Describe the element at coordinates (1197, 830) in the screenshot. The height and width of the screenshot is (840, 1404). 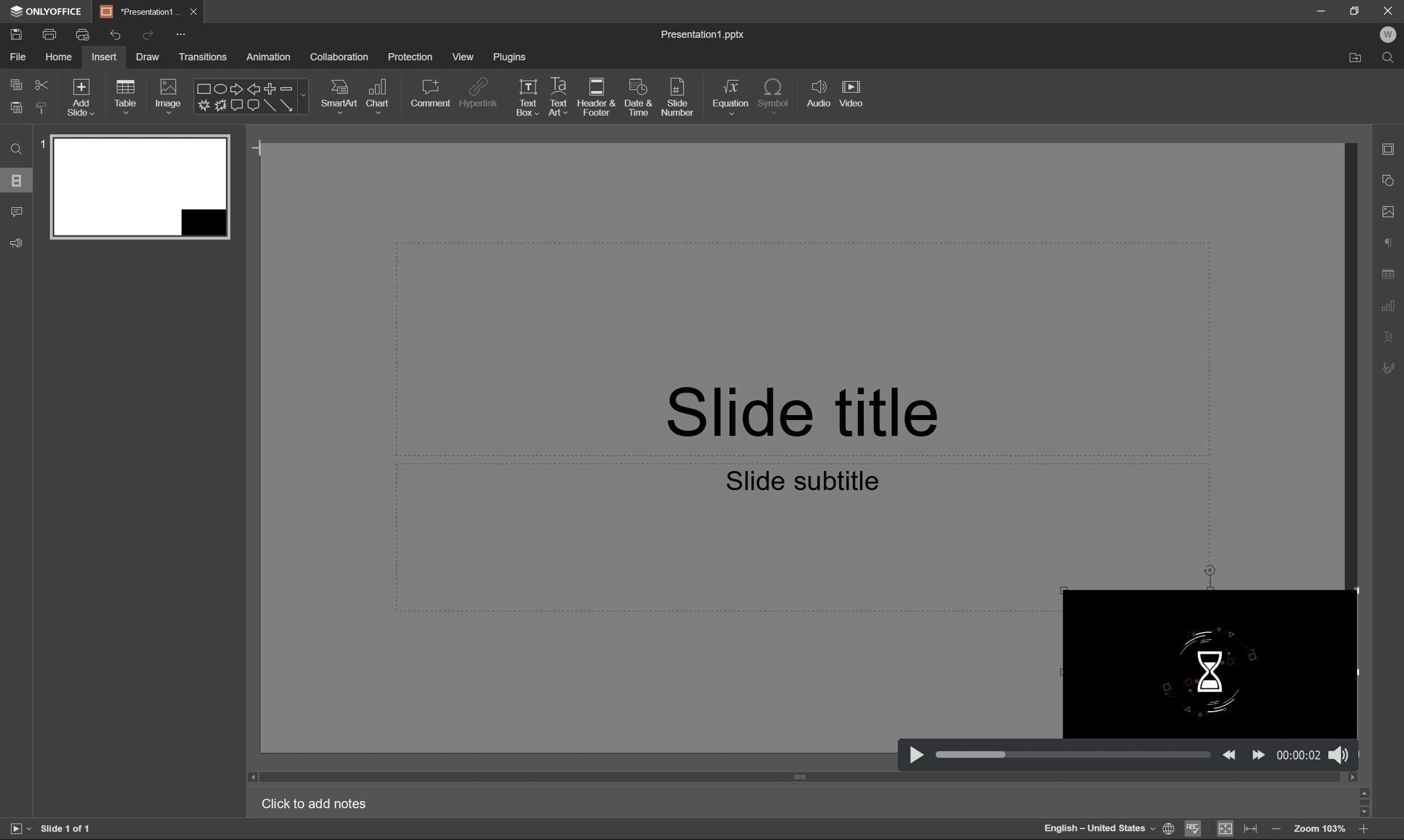
I see `spell checking` at that location.